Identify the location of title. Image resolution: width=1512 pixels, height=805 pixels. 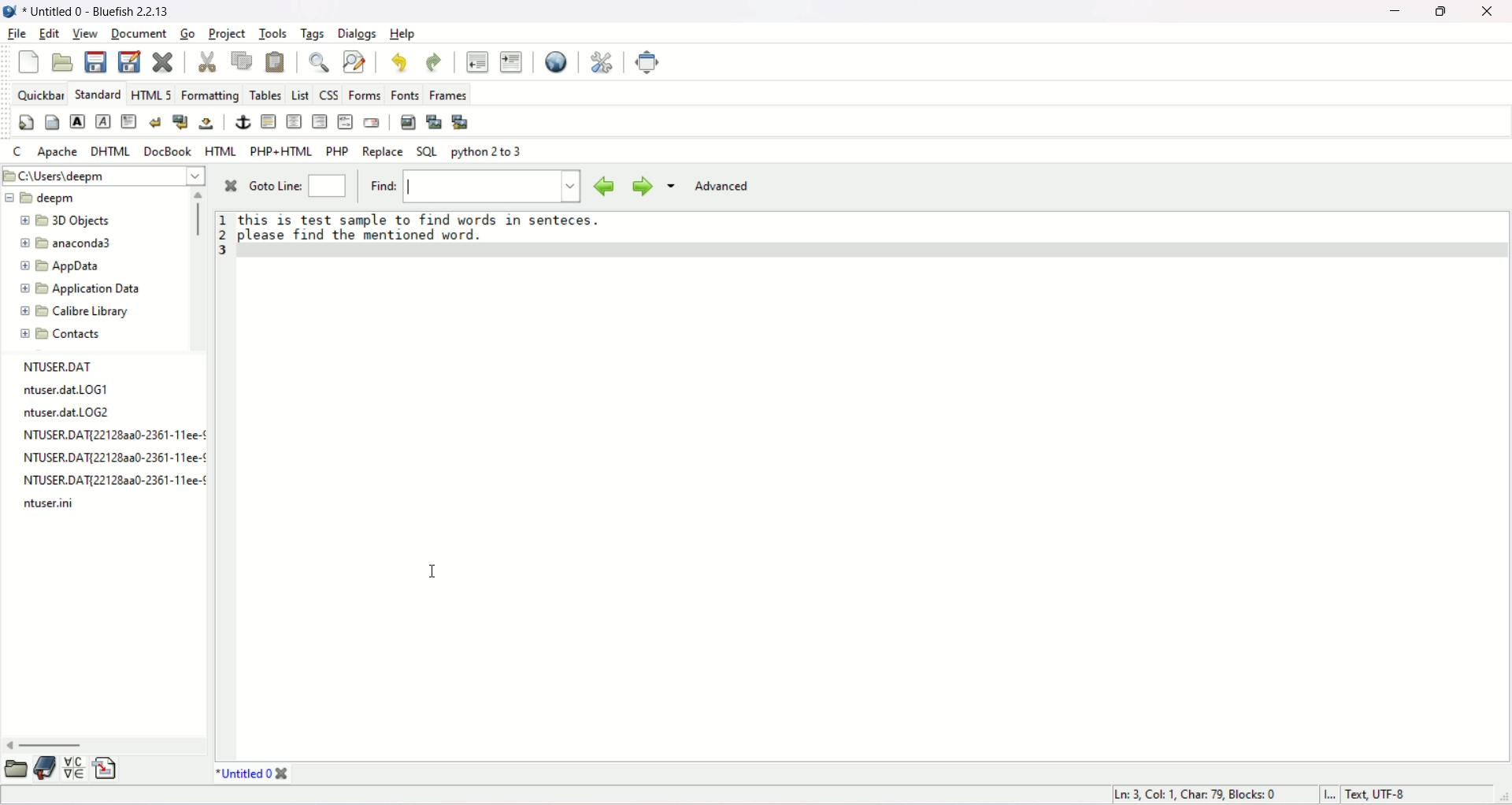
(243, 773).